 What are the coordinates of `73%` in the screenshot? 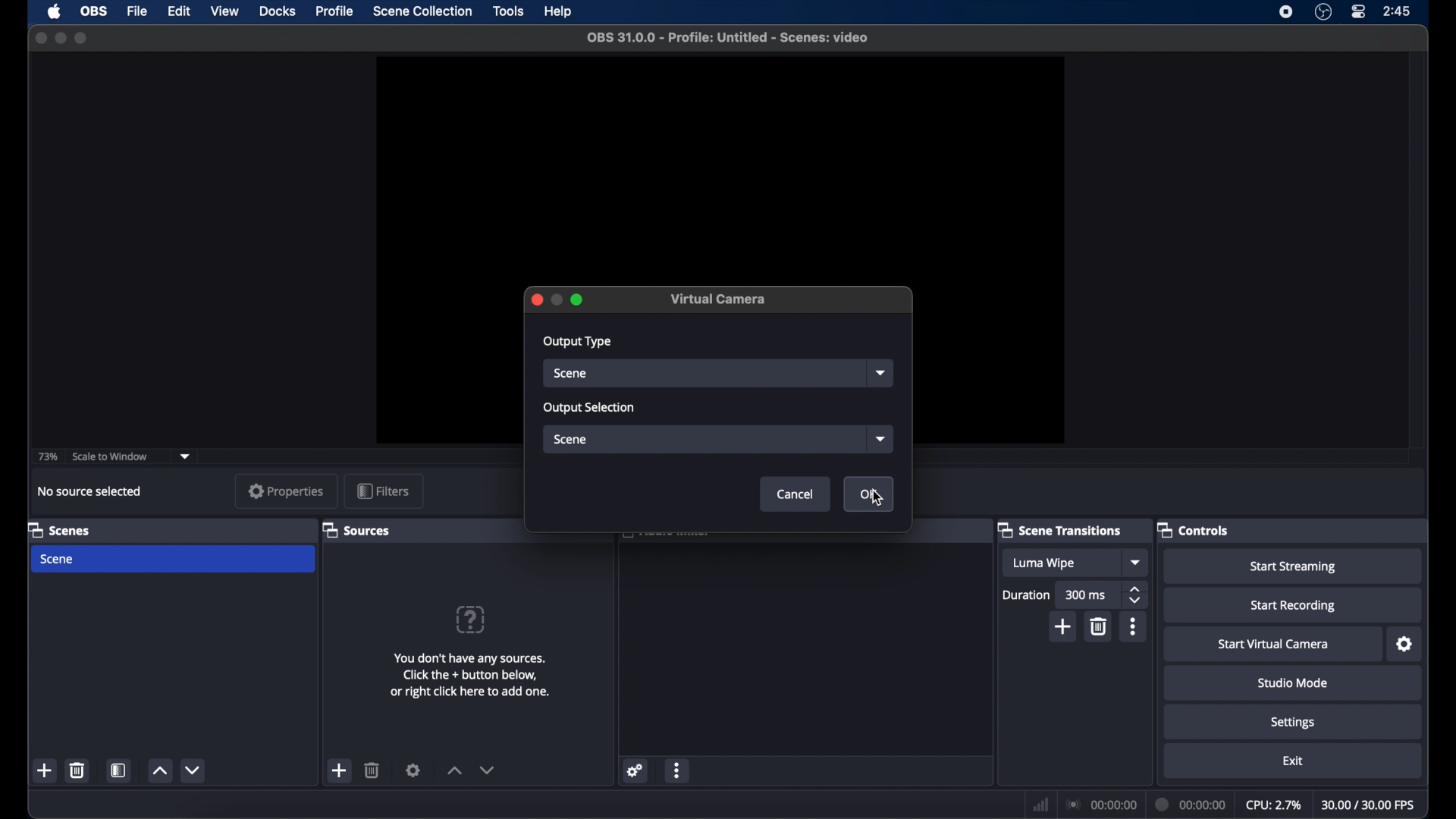 It's located at (46, 457).